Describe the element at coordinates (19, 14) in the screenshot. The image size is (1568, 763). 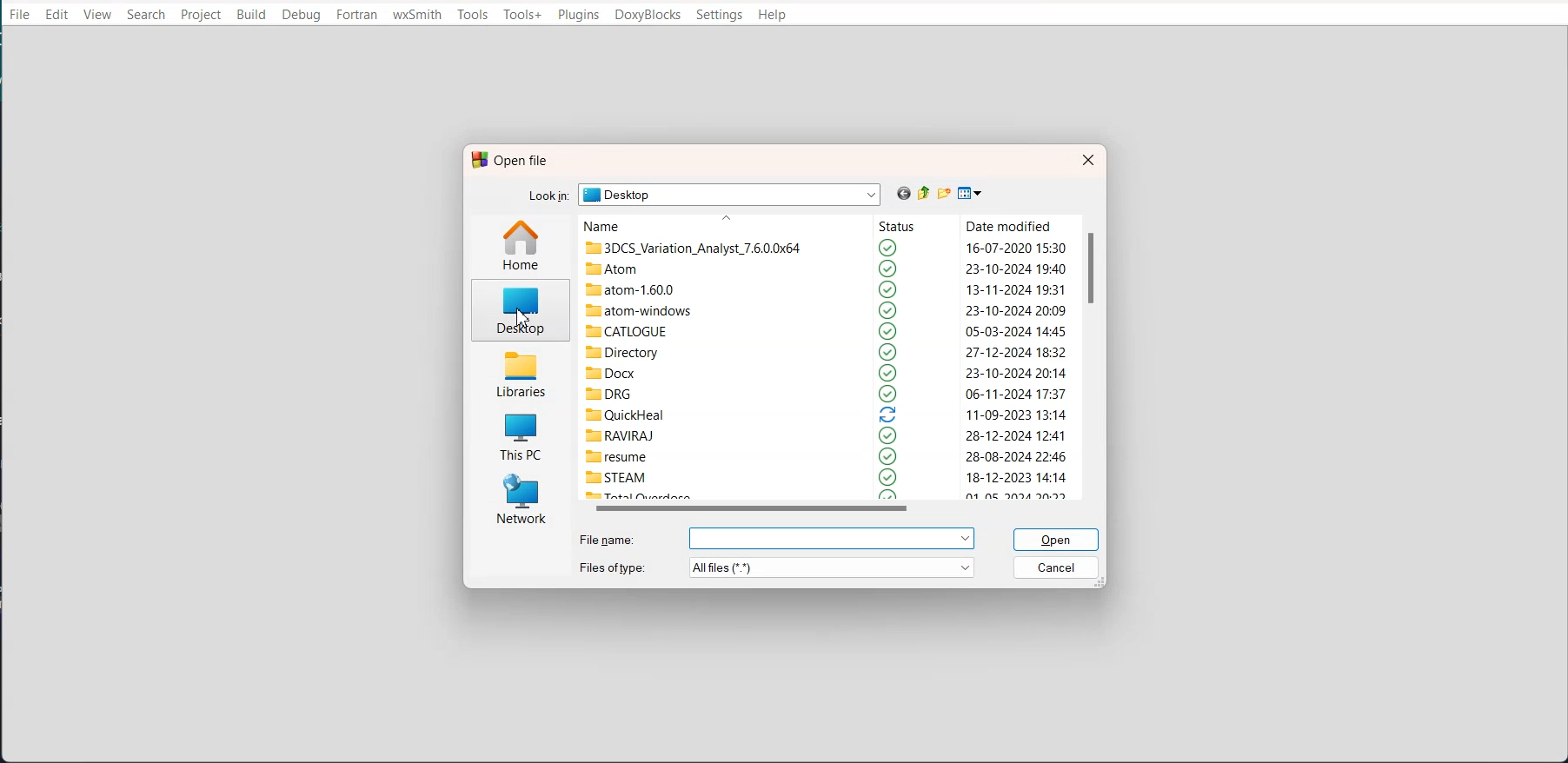
I see `File` at that location.